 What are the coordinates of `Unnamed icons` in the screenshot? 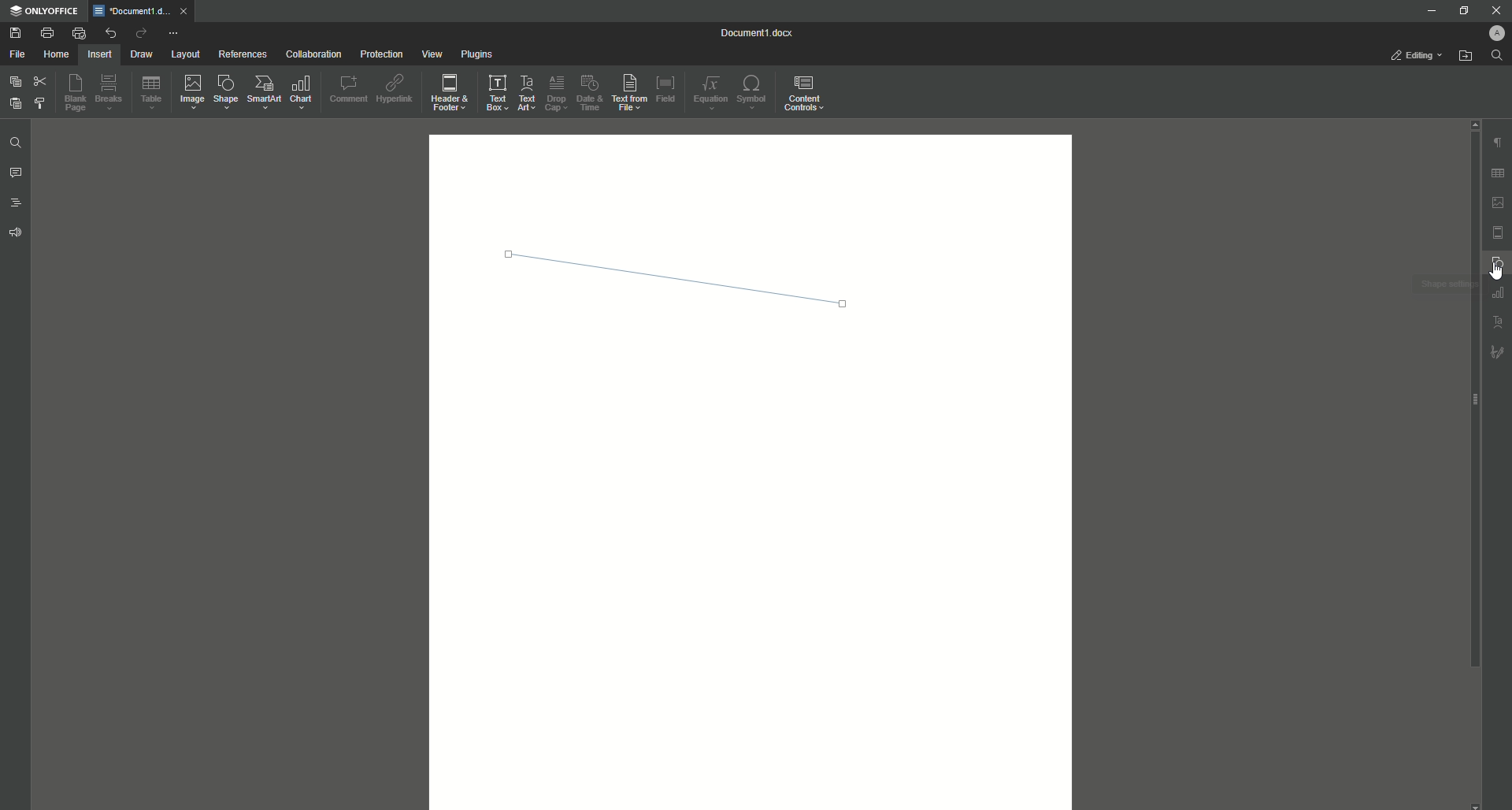 It's located at (1496, 325).